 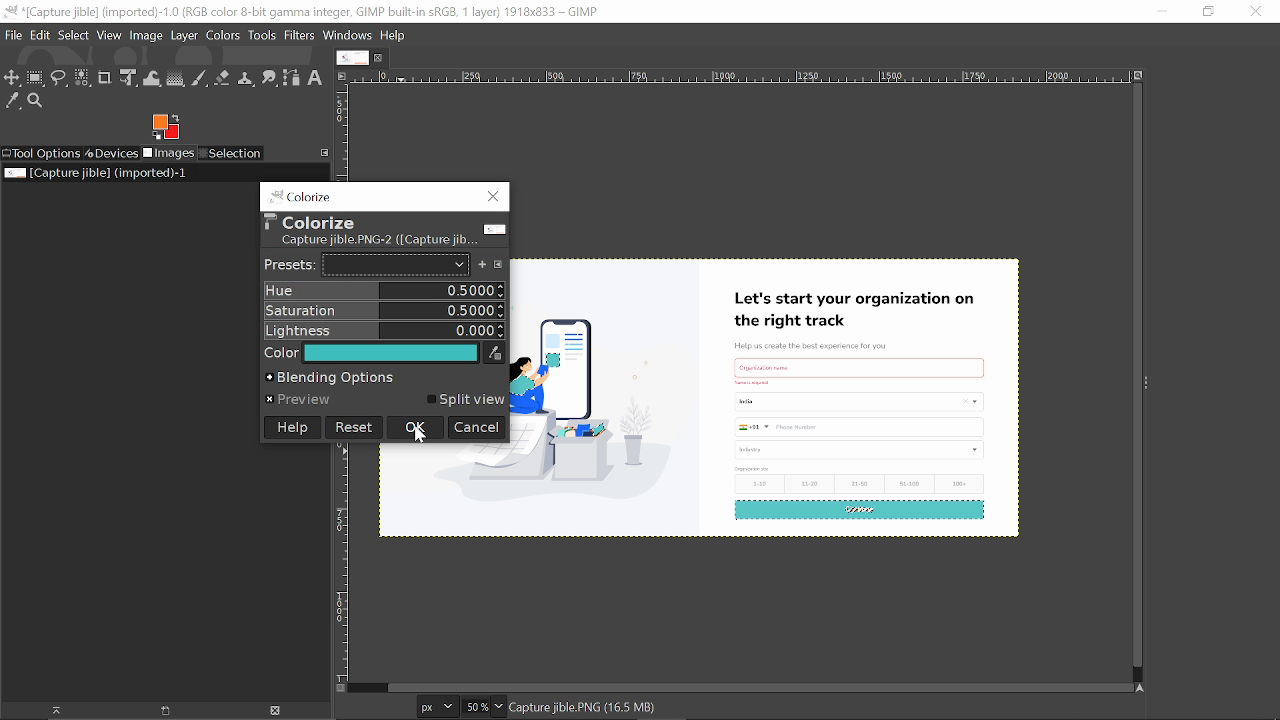 I want to click on Ok, so click(x=415, y=428).